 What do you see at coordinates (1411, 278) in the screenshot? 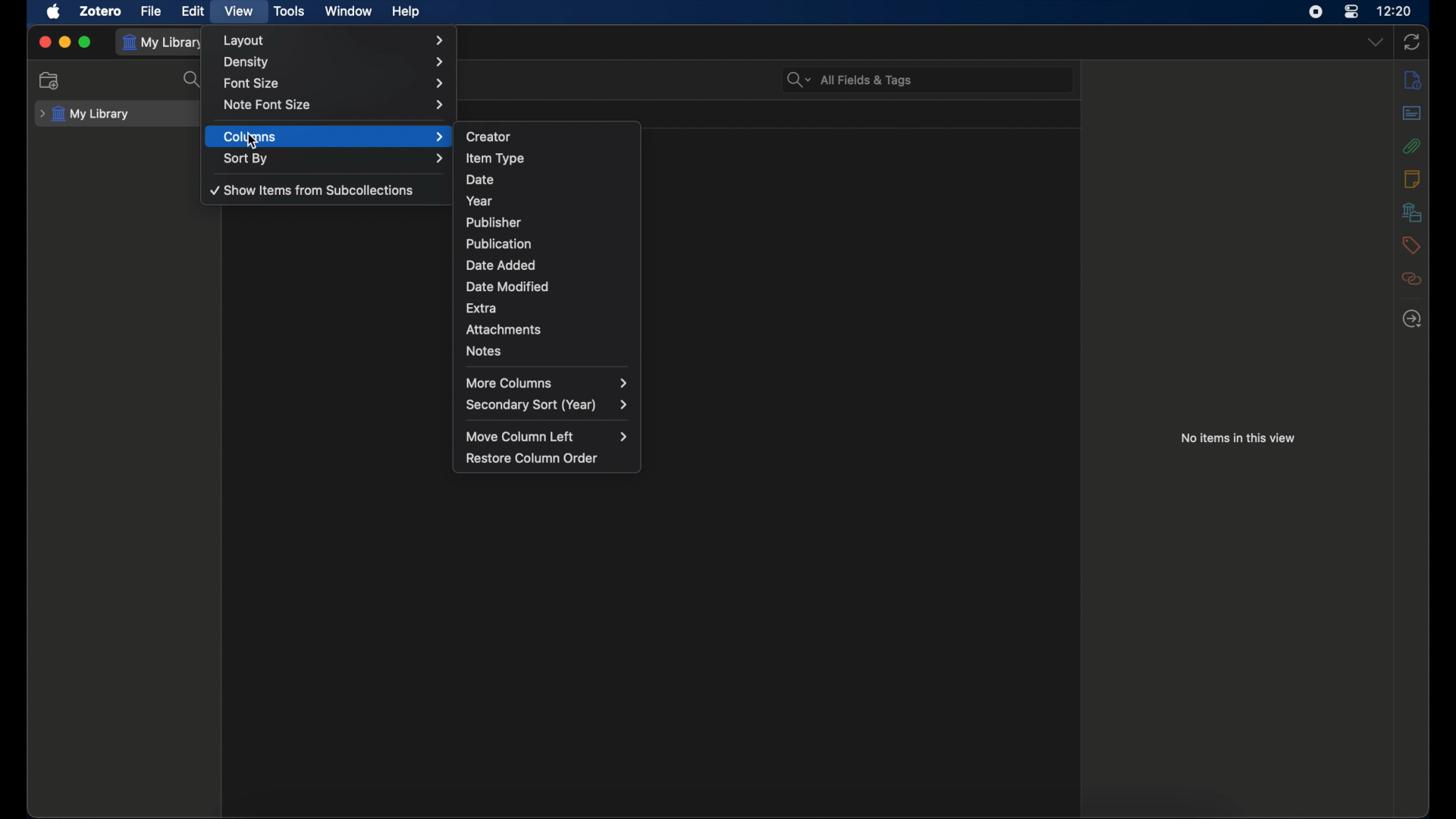
I see `relate` at bounding box center [1411, 278].